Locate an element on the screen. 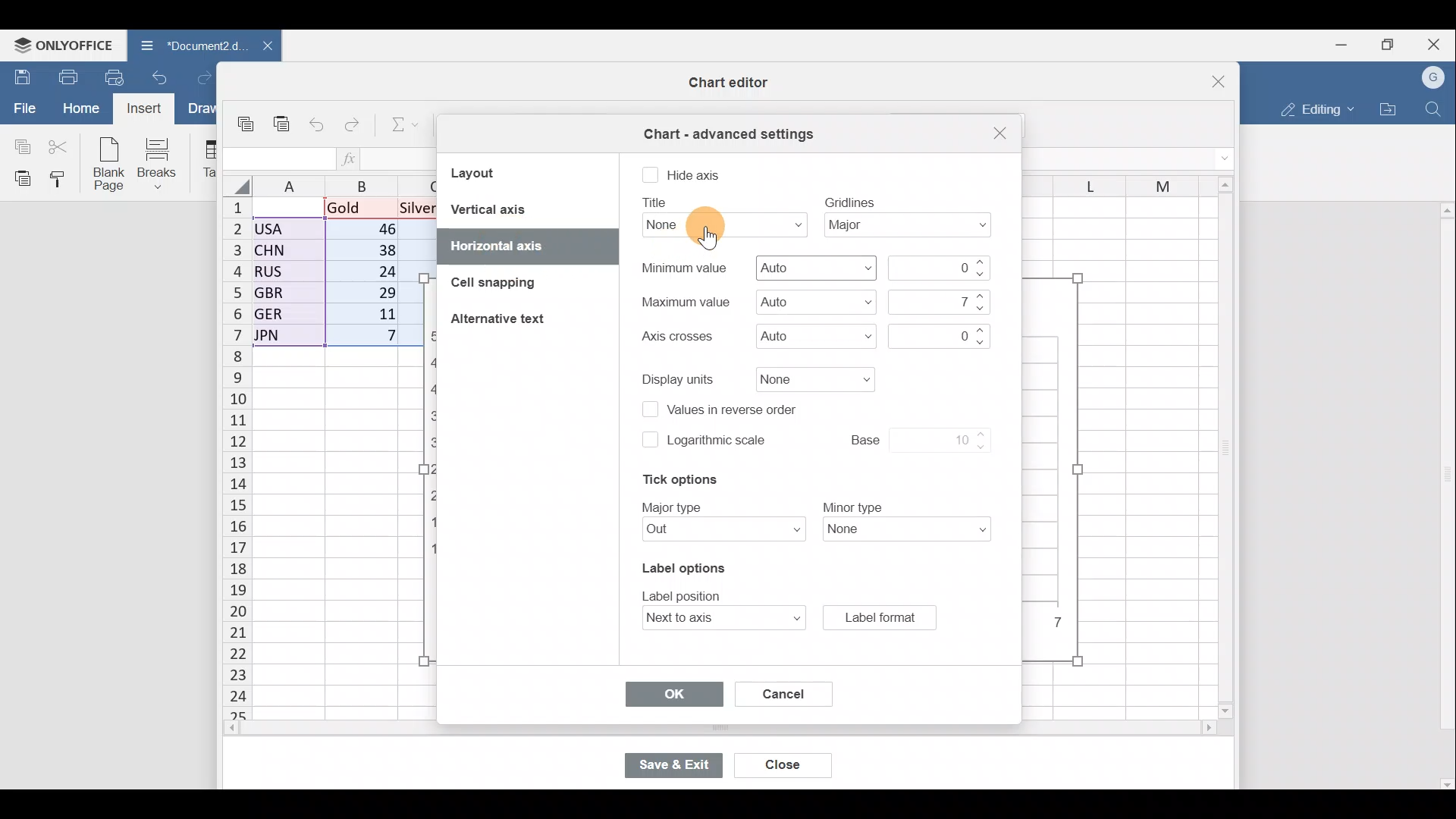  text is located at coordinates (675, 337).